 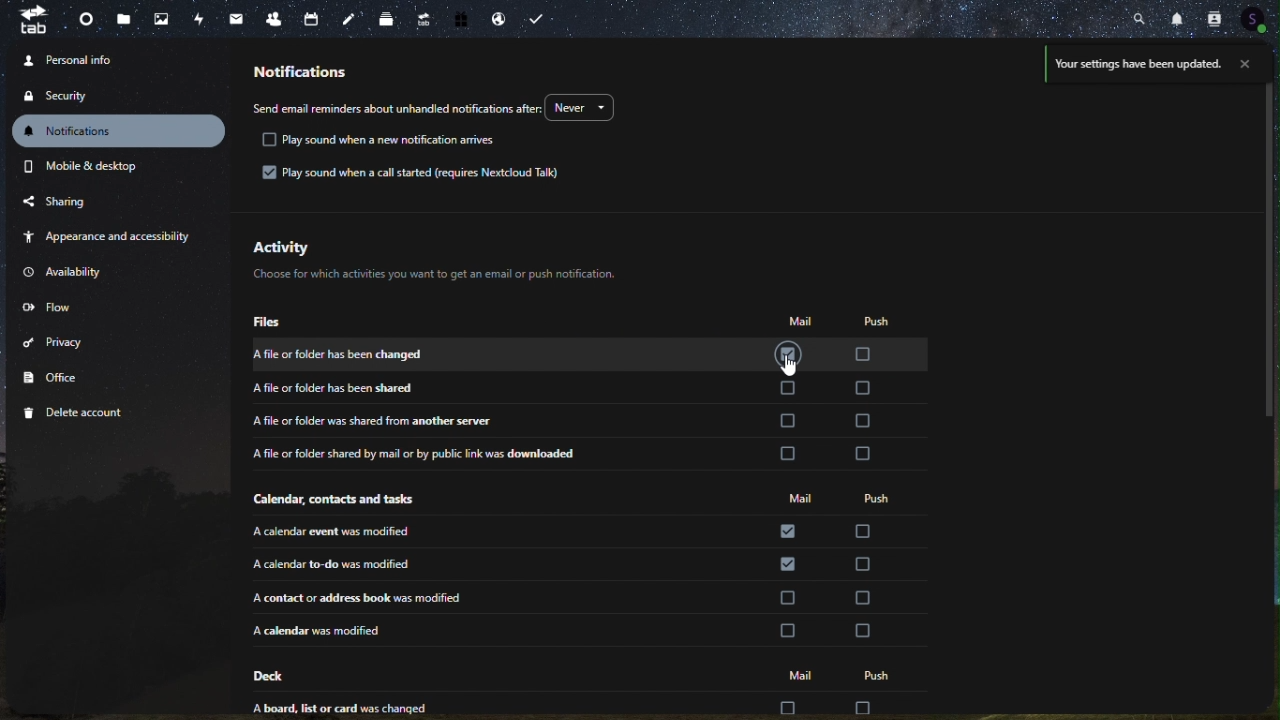 I want to click on push, so click(x=883, y=674).